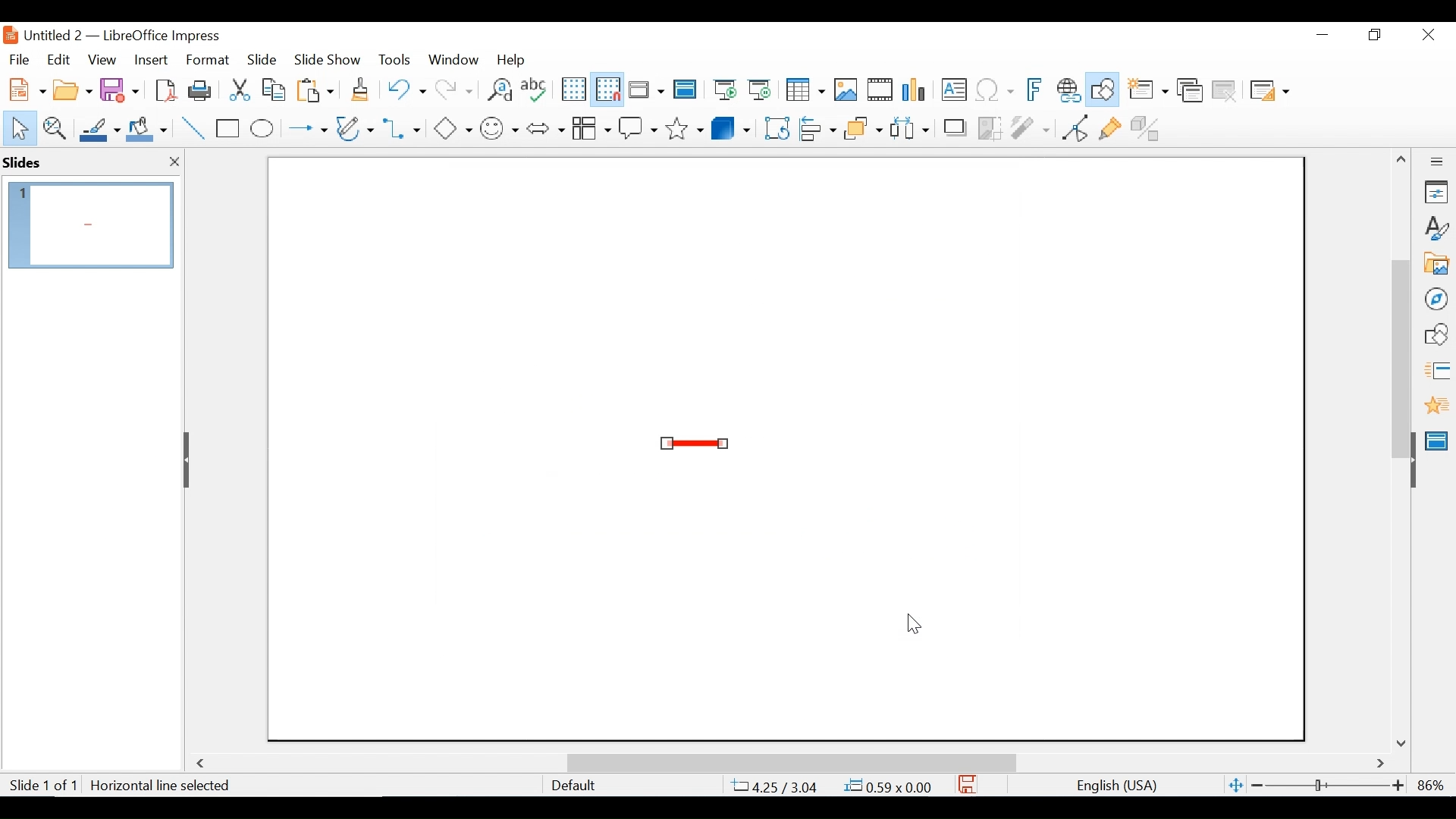 Image resolution: width=1456 pixels, height=819 pixels. I want to click on Crop Image, so click(990, 127).